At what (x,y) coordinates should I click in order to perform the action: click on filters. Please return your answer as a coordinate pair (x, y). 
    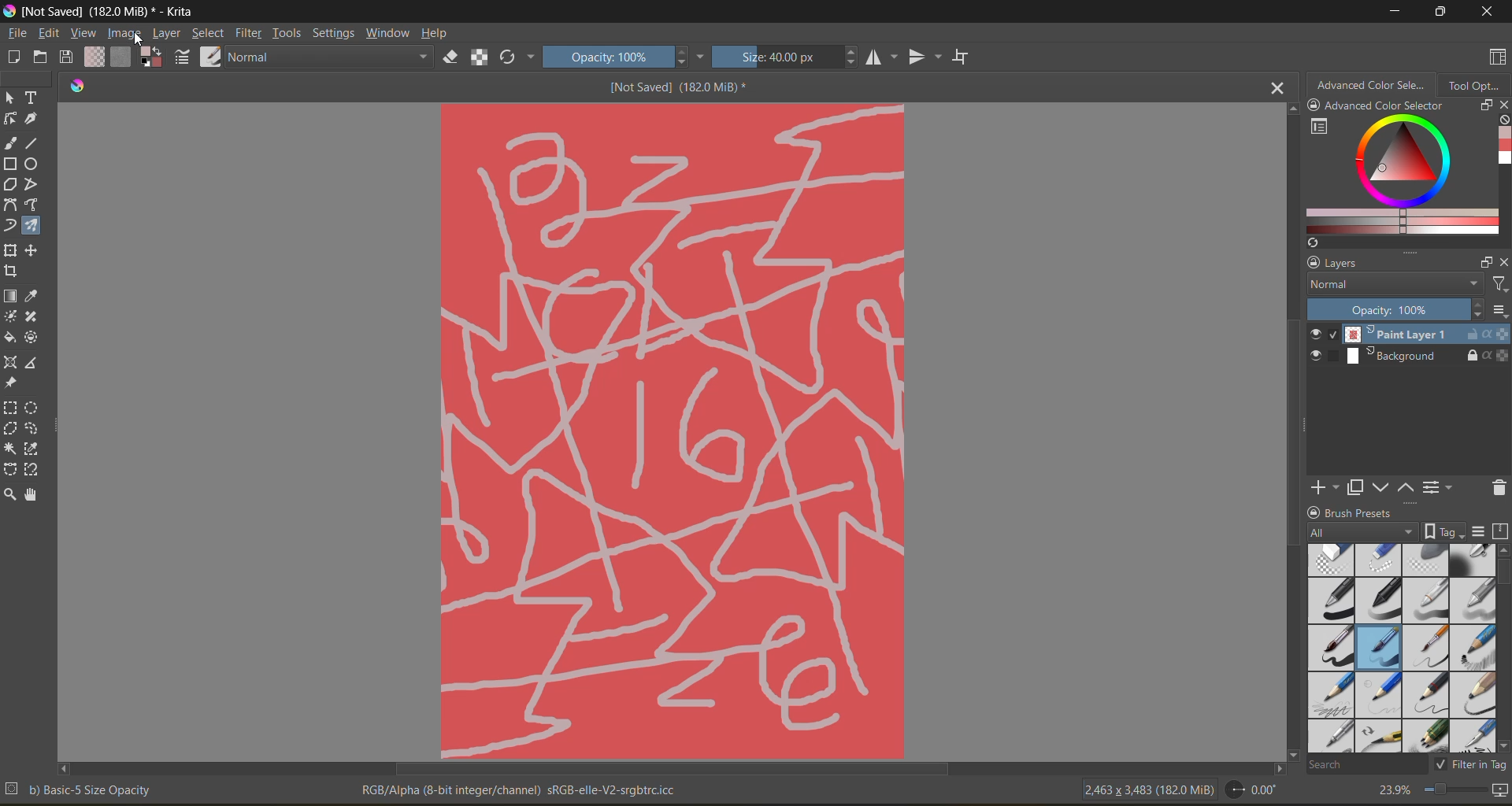
    Looking at the image, I should click on (253, 35).